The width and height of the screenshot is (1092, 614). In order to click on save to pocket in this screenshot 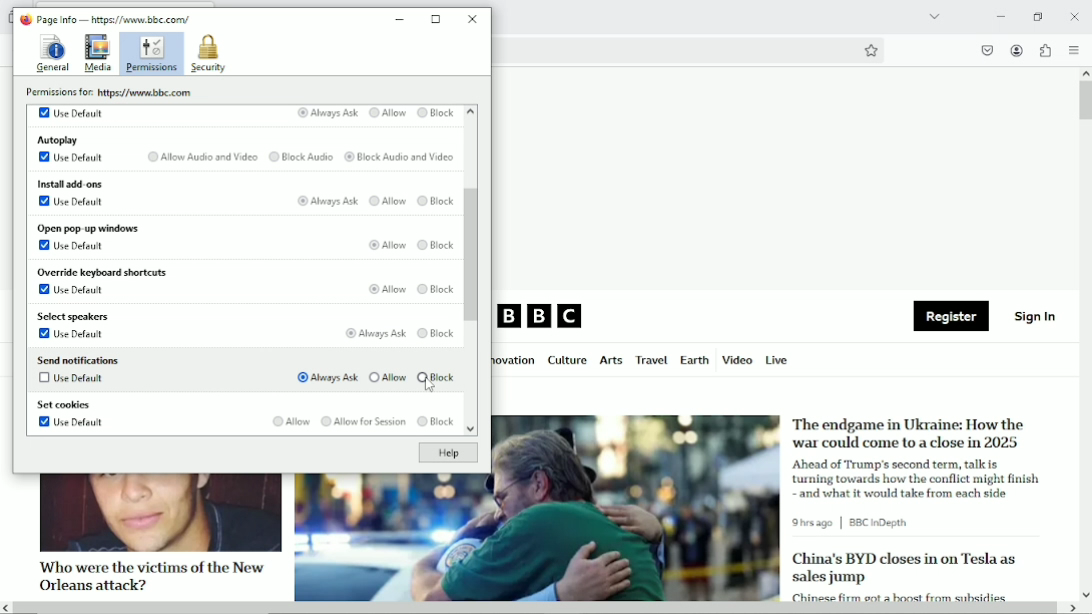, I will do `click(986, 50)`.